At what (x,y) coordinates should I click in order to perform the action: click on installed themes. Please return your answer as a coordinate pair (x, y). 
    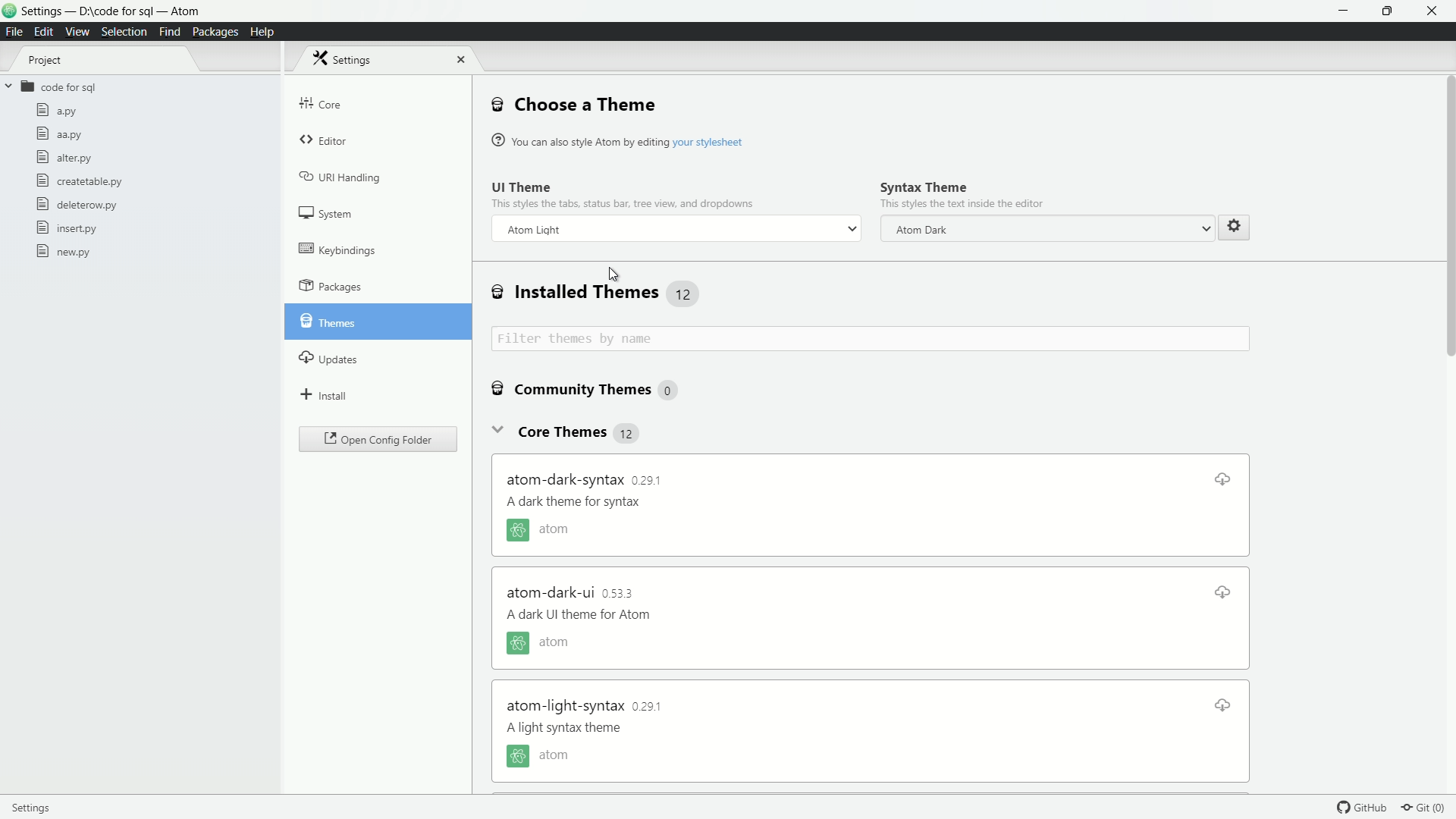
    Looking at the image, I should click on (595, 293).